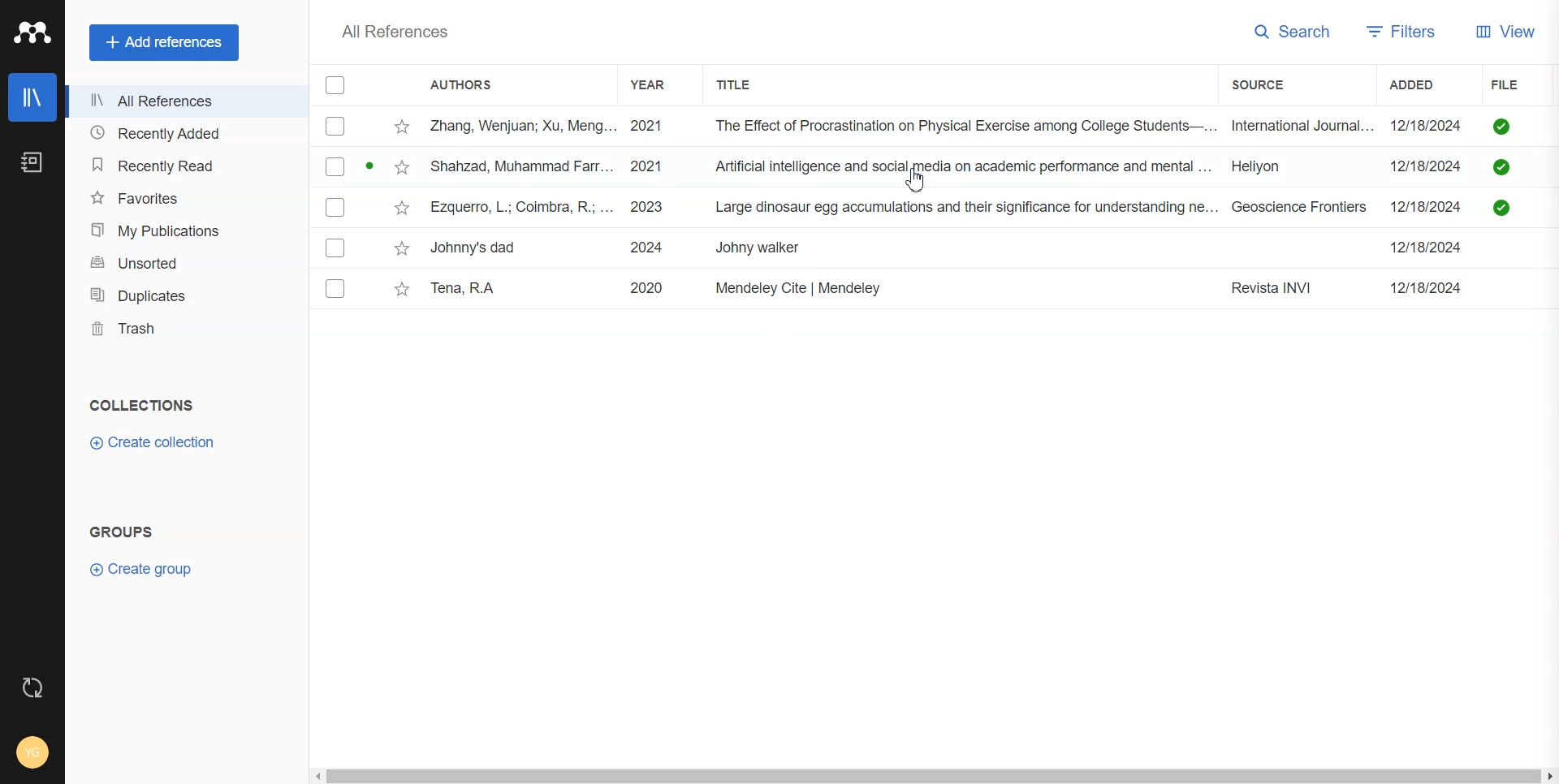 This screenshot has height=784, width=1559. I want to click on Logo, so click(32, 32).